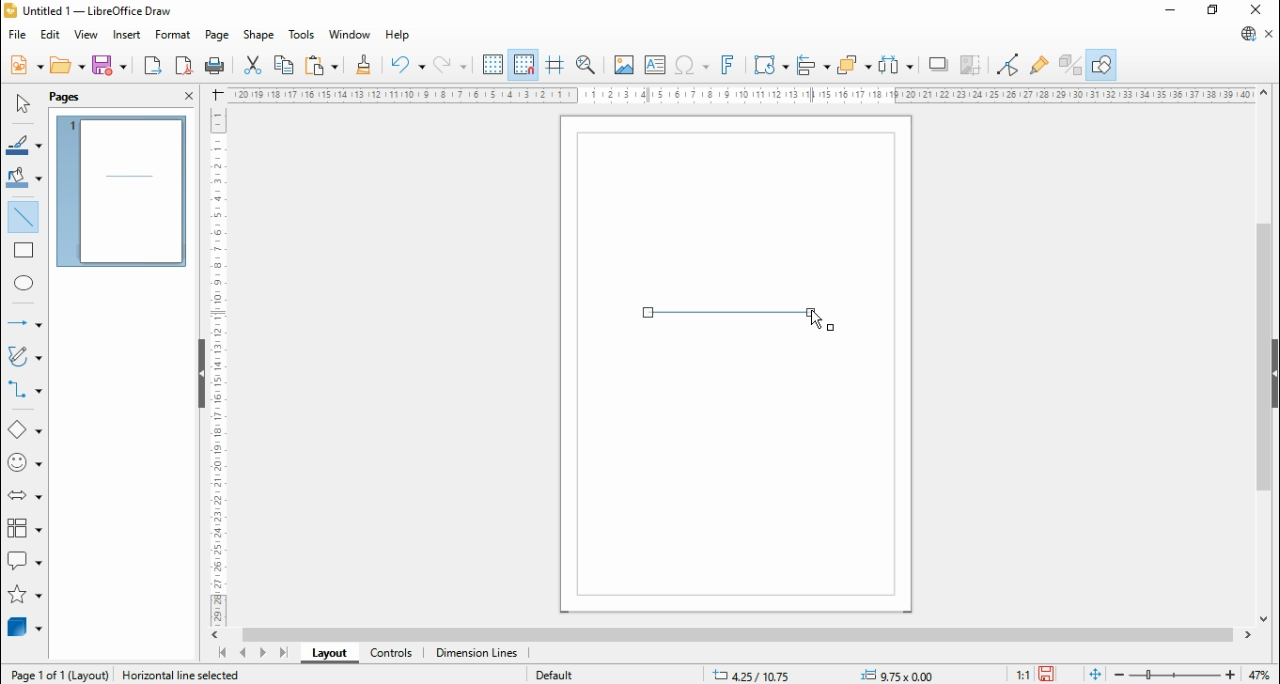 The width and height of the screenshot is (1280, 684). I want to click on transformations, so click(770, 64).